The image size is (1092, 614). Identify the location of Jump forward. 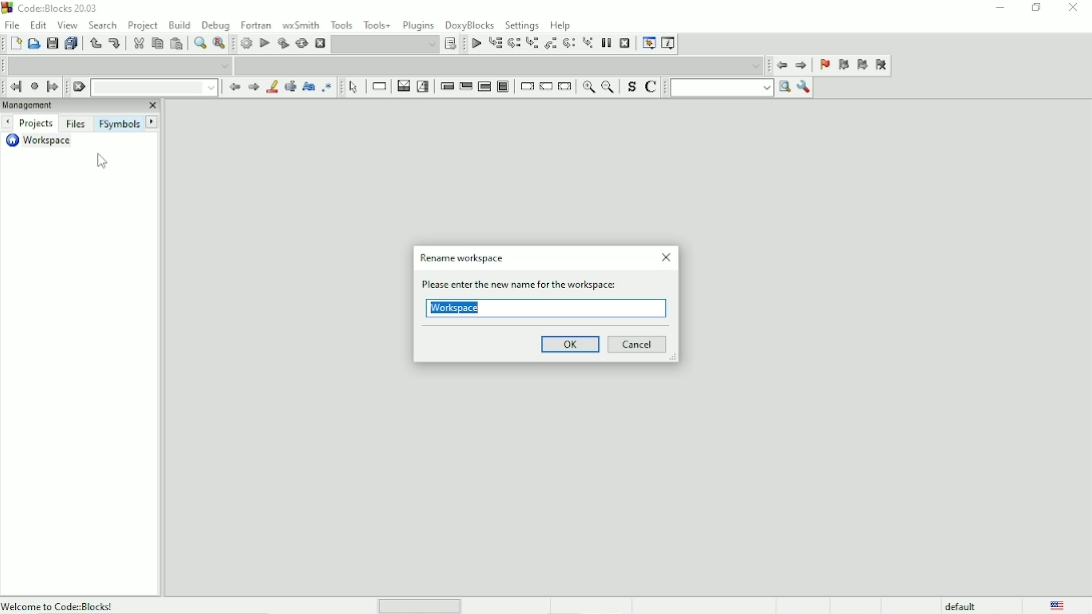
(54, 87).